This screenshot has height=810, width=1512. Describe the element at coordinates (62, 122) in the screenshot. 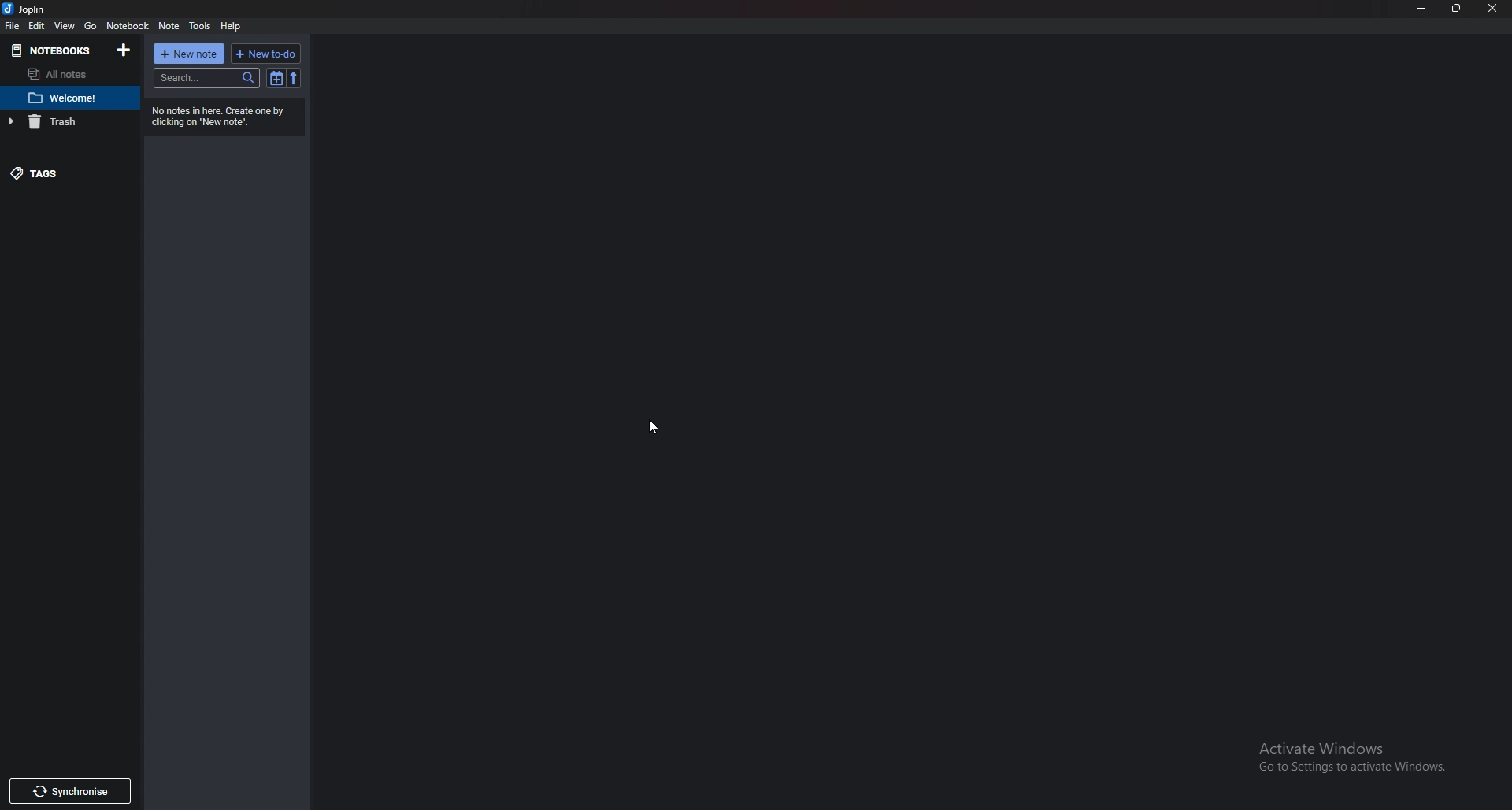

I see `trash` at that location.